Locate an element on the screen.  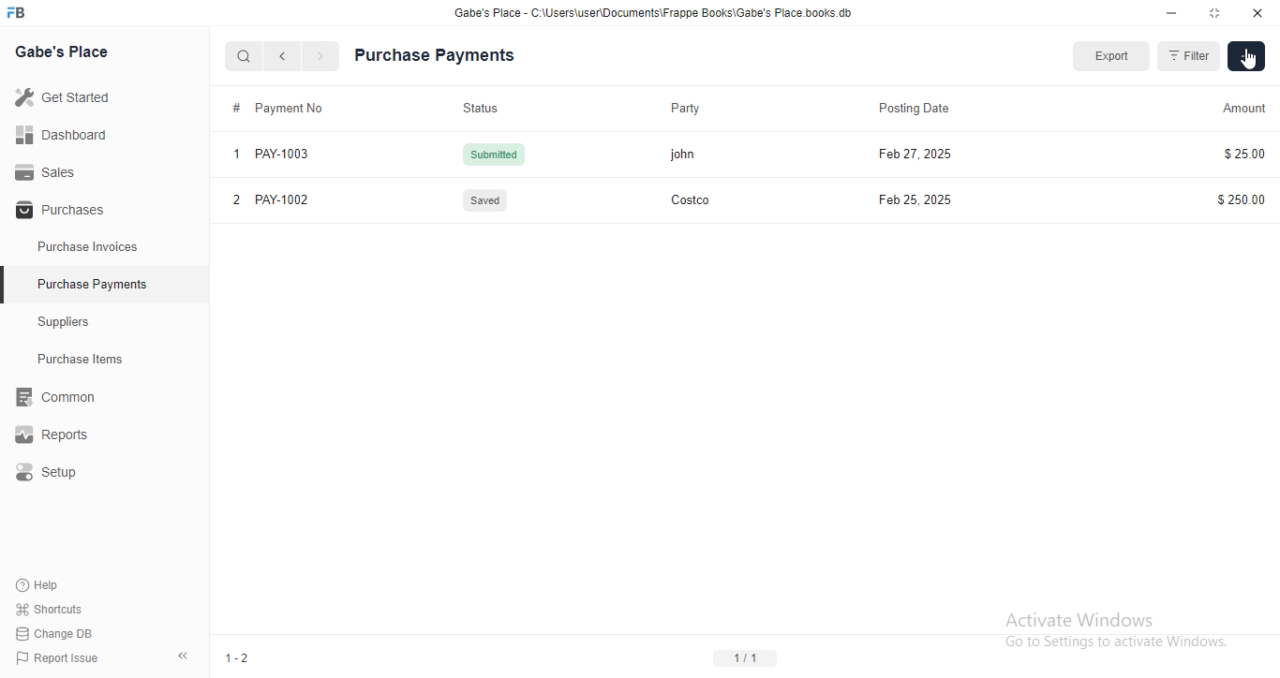
selected is located at coordinates (8, 287).